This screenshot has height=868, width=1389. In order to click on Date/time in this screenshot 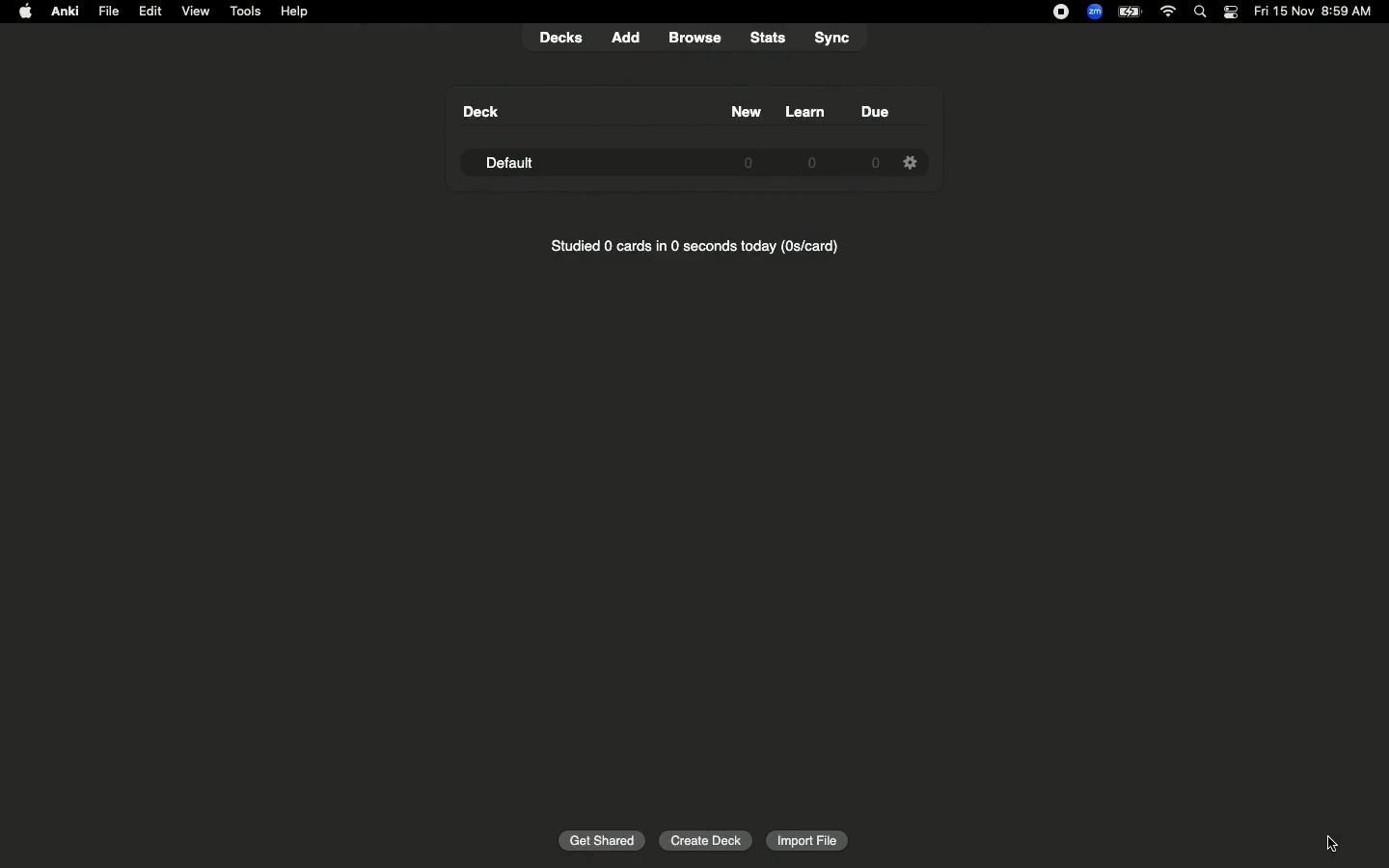, I will do `click(1313, 13)`.